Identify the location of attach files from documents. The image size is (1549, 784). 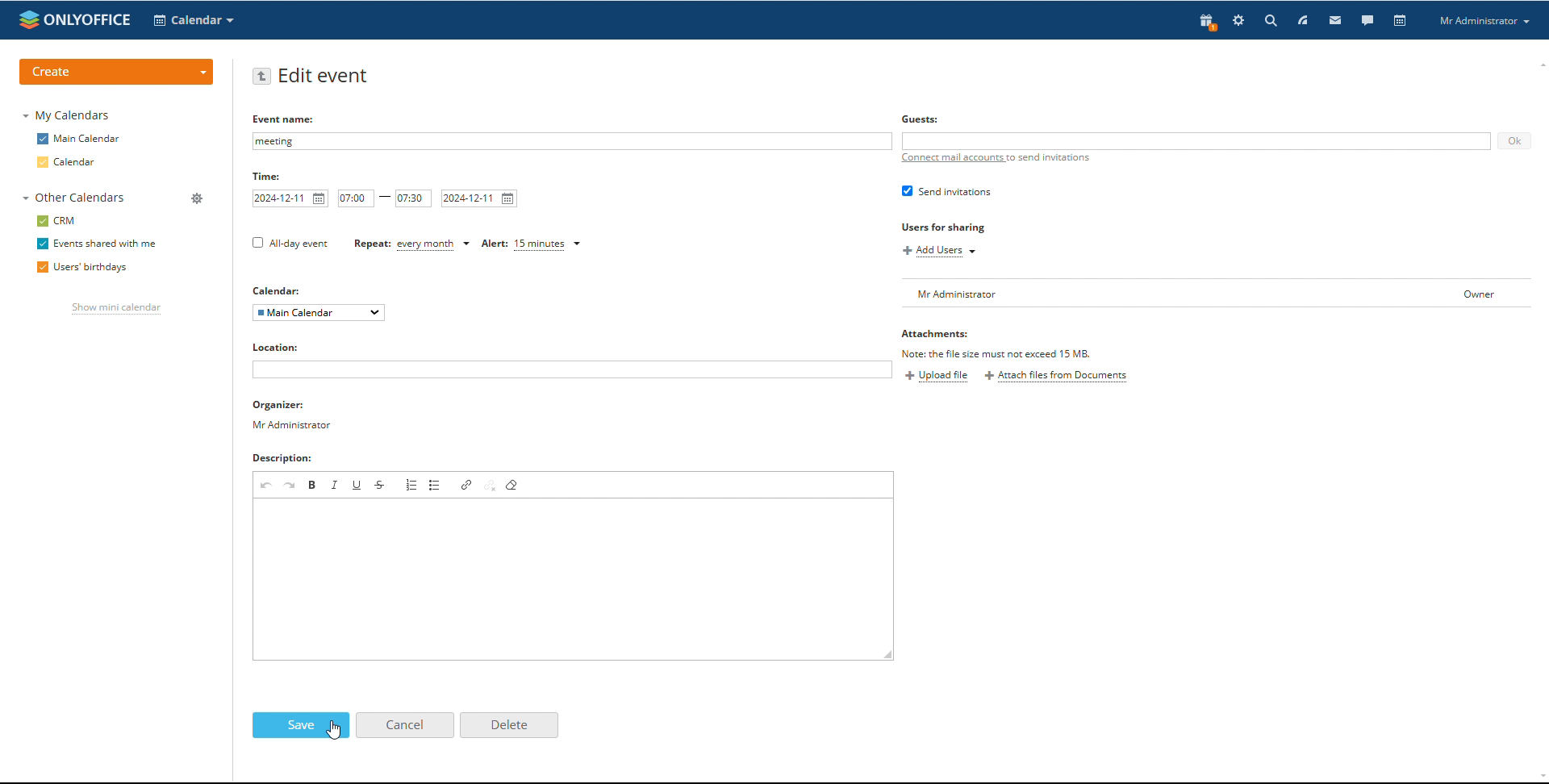
(1056, 377).